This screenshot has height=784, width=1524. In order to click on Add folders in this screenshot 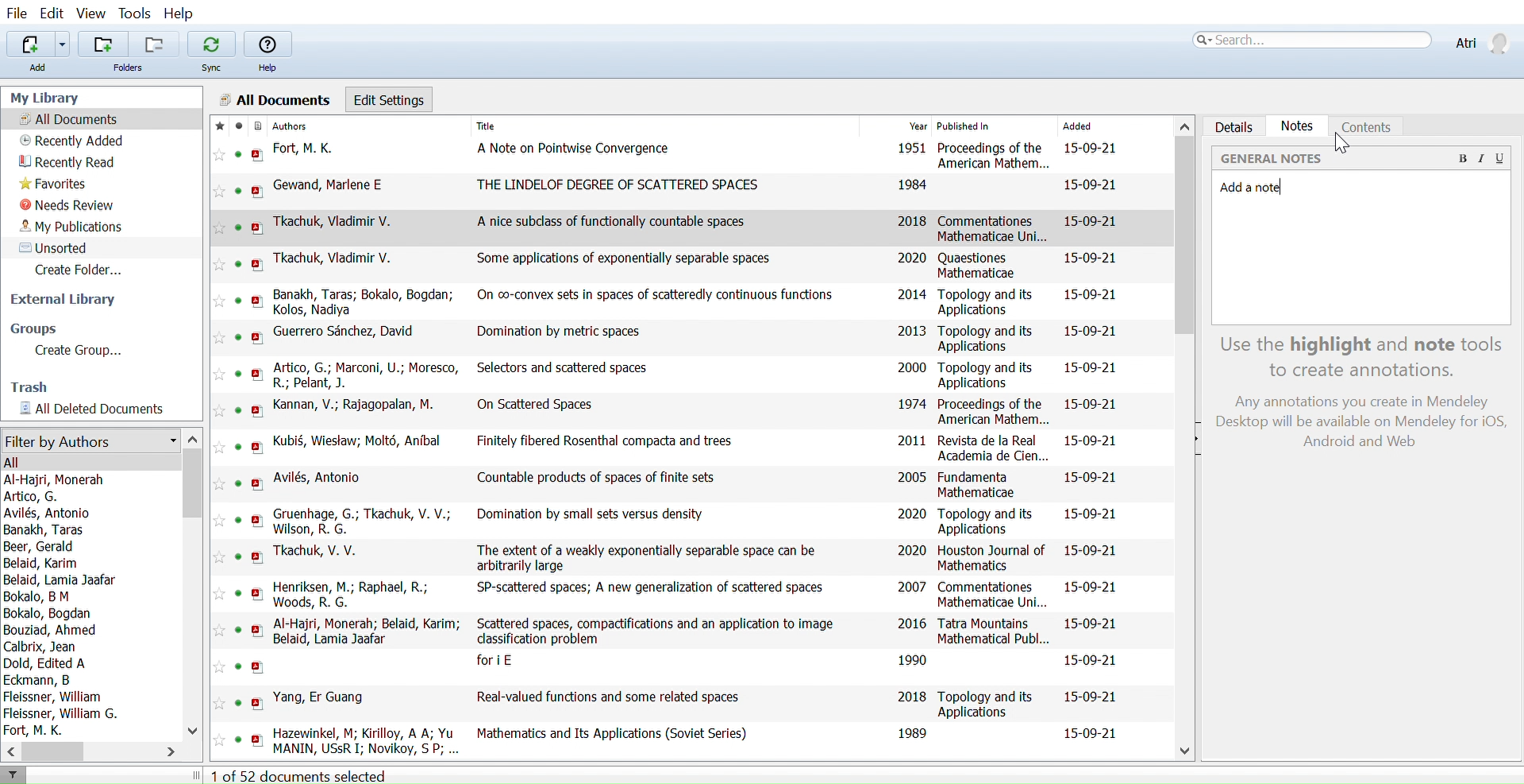, I will do `click(103, 44)`.